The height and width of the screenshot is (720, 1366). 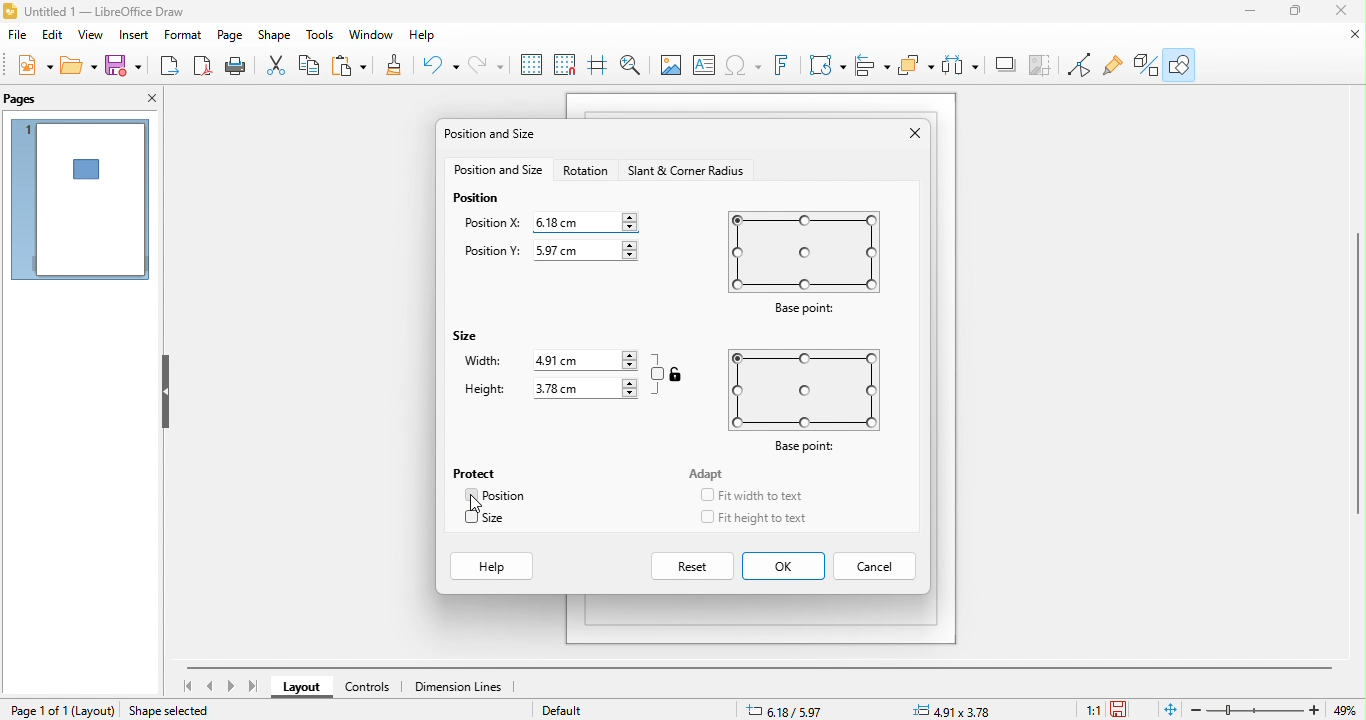 What do you see at coordinates (35, 99) in the screenshot?
I see `pages` at bounding box center [35, 99].